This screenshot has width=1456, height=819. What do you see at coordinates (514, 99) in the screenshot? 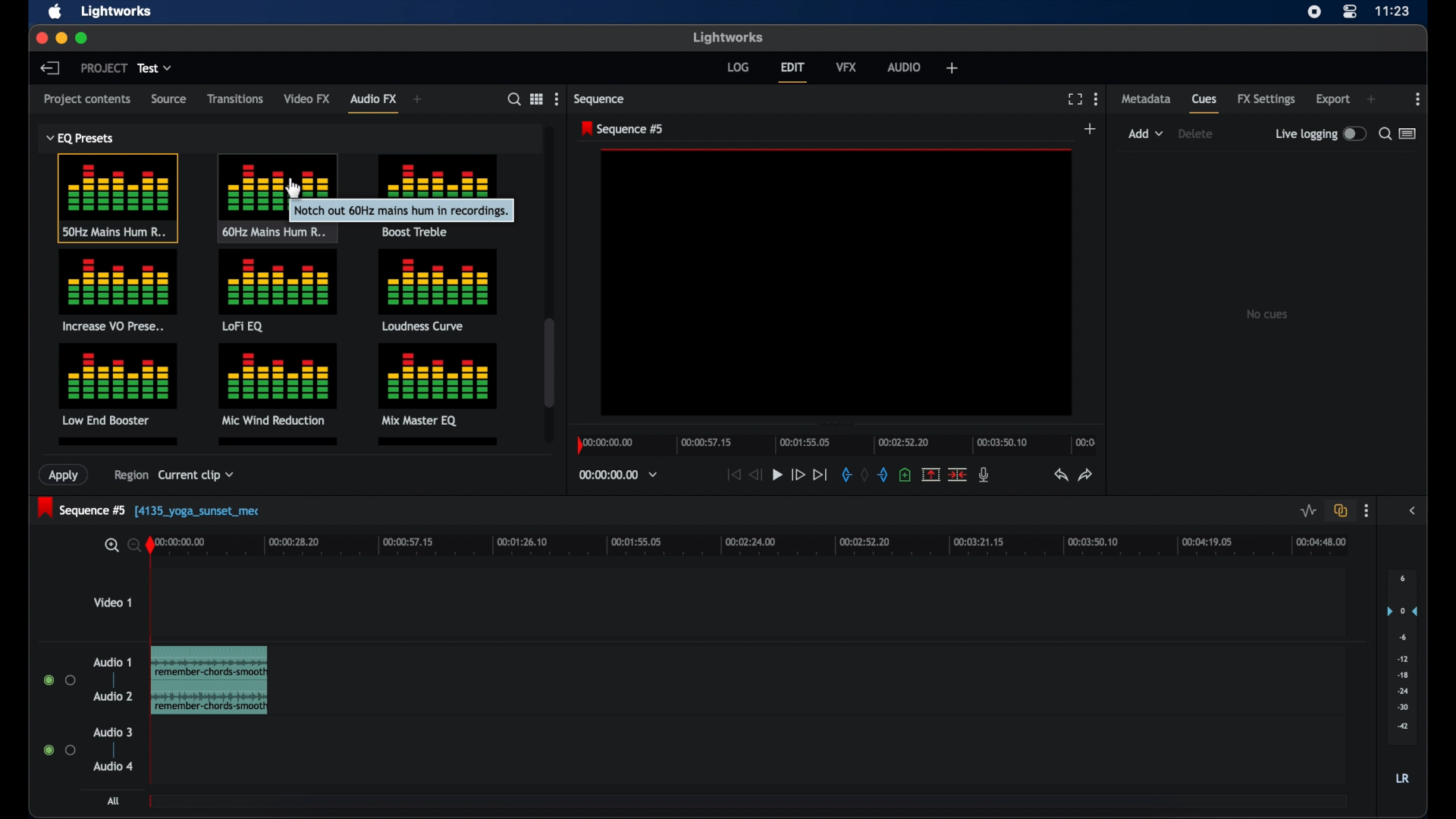
I see `search` at bounding box center [514, 99].